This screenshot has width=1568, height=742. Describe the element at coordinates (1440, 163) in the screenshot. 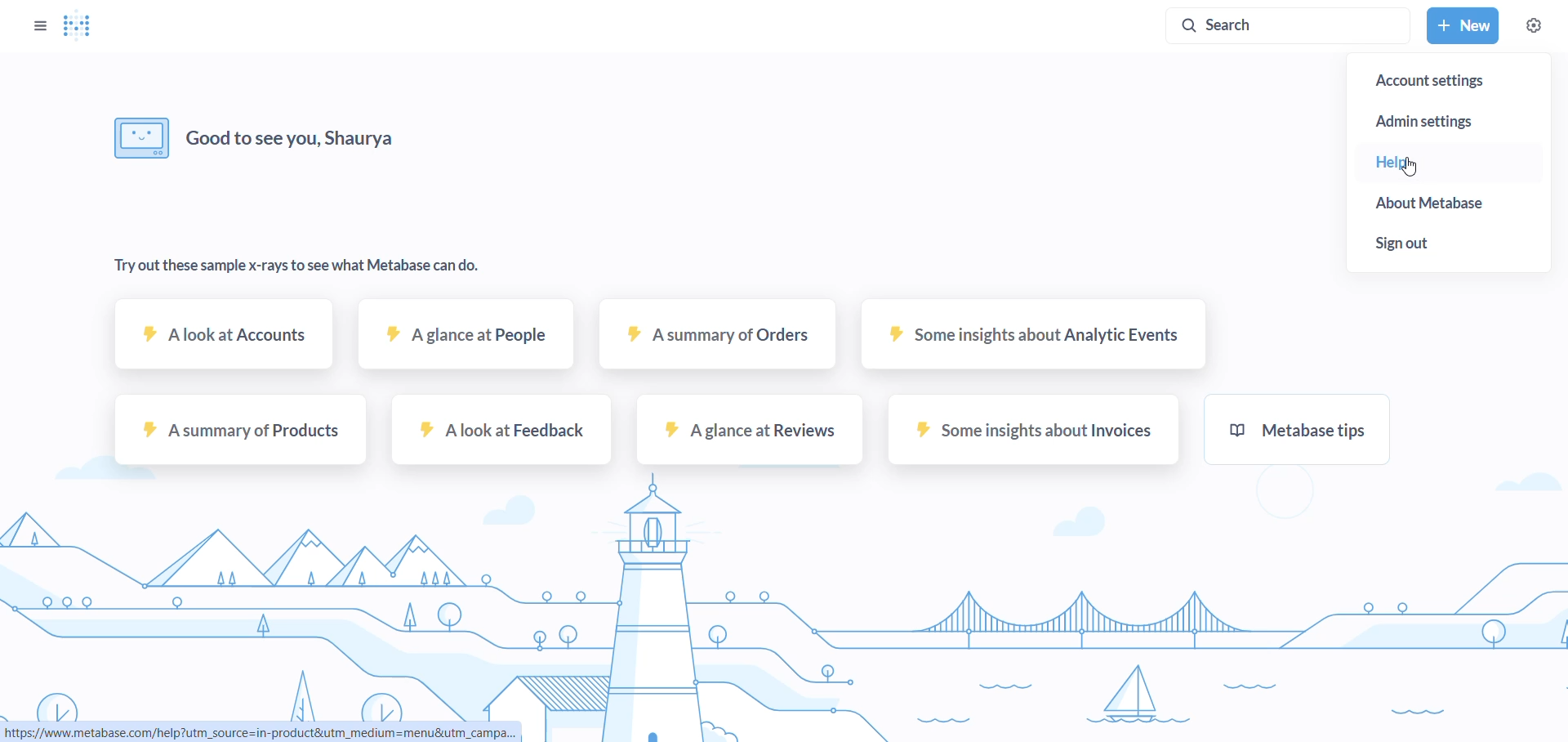

I see `help ` at that location.